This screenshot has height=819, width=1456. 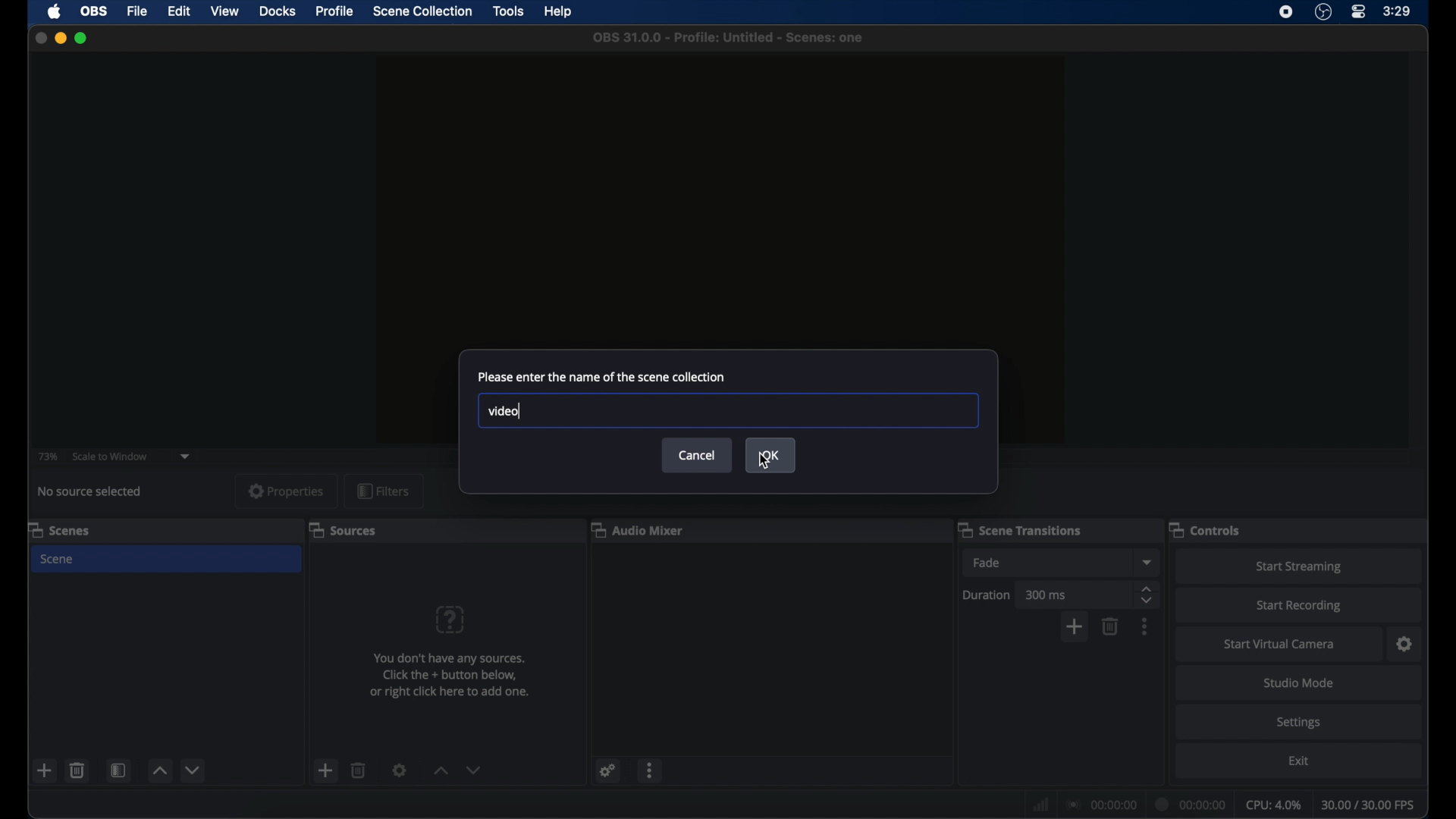 I want to click on delete, so click(x=1110, y=626).